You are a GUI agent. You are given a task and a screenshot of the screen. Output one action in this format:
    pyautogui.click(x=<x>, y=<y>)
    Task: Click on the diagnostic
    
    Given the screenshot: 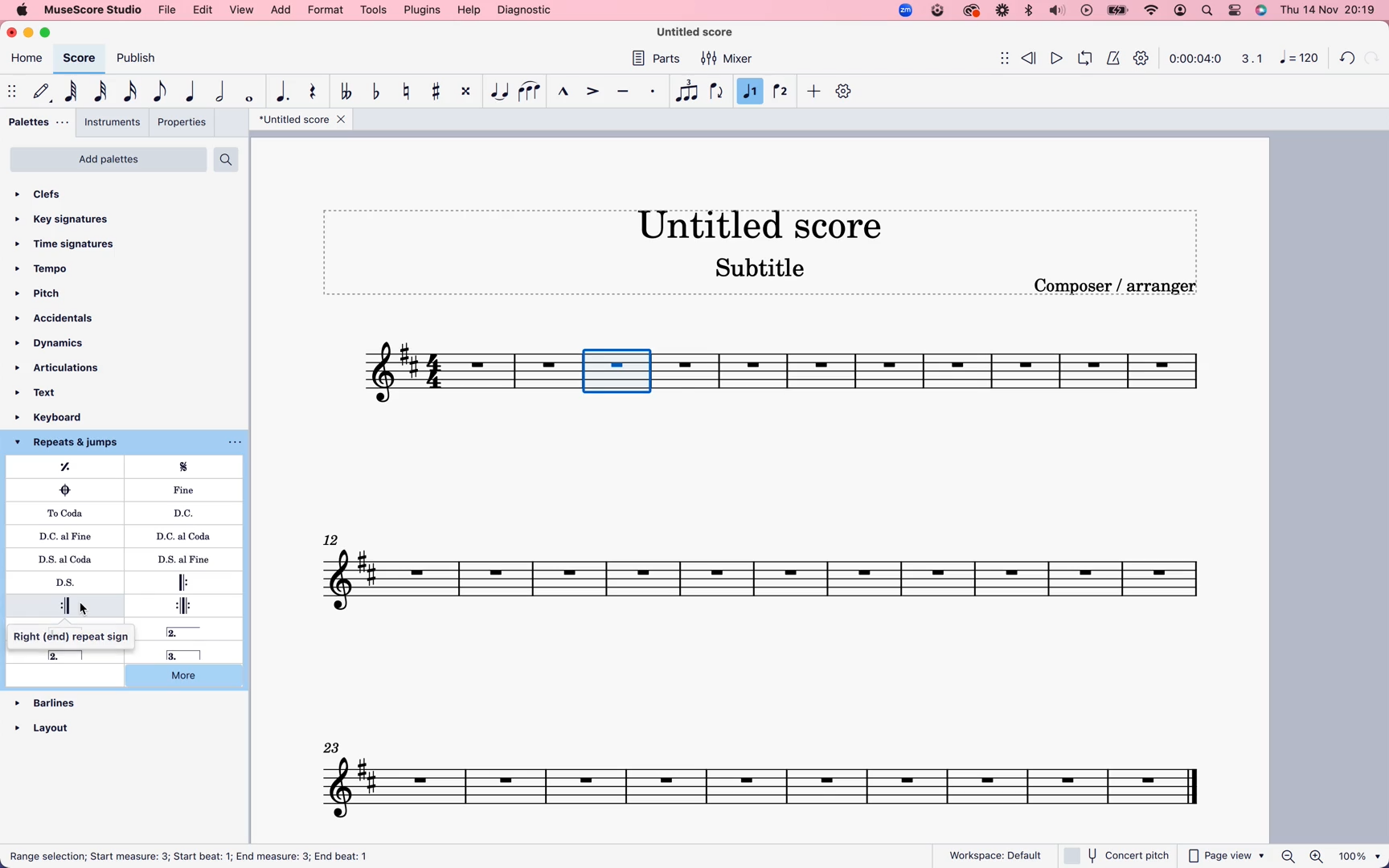 What is the action you would take?
    pyautogui.click(x=525, y=10)
    